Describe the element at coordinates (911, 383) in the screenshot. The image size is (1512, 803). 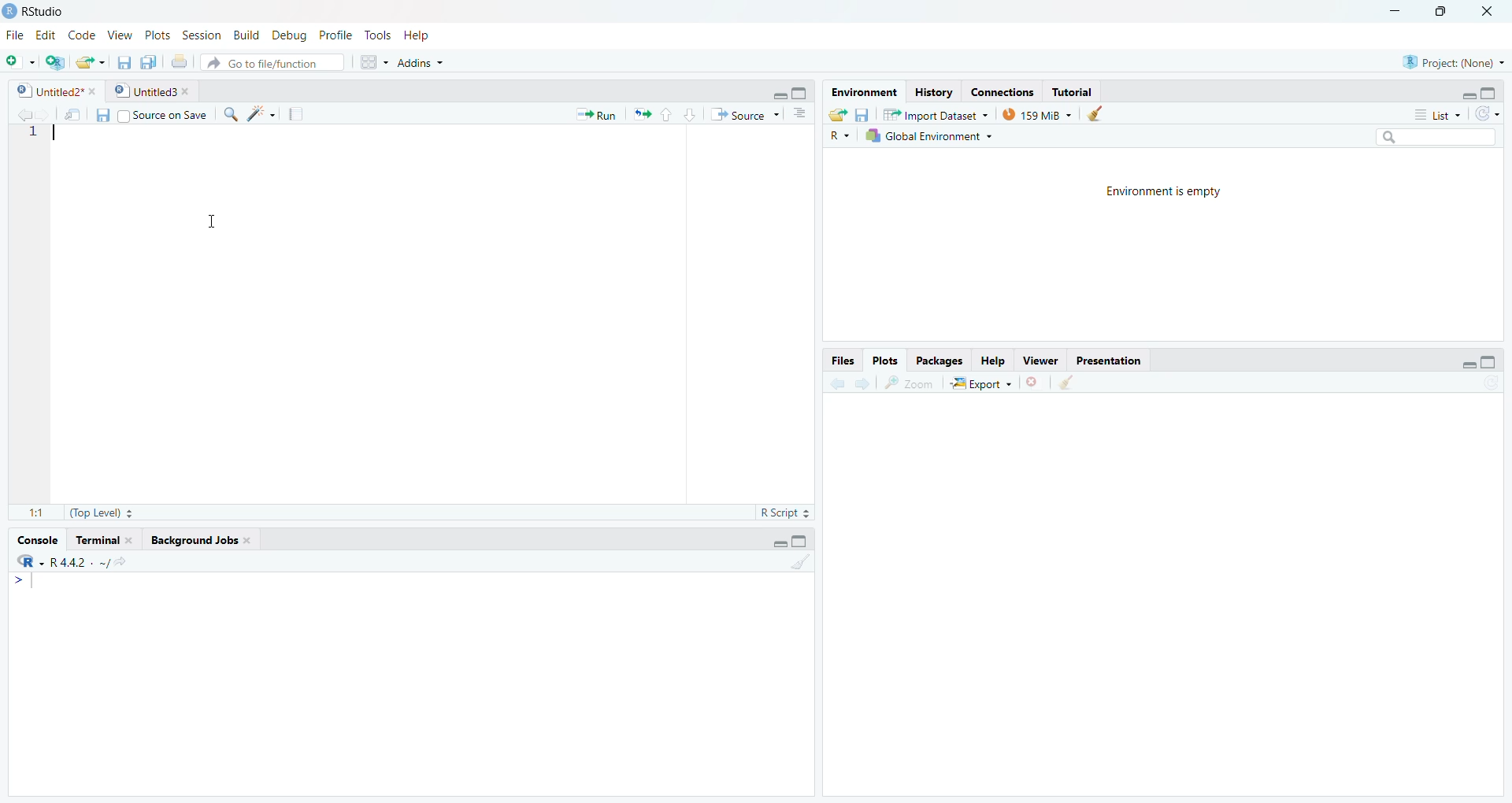
I see `Zoom` at that location.